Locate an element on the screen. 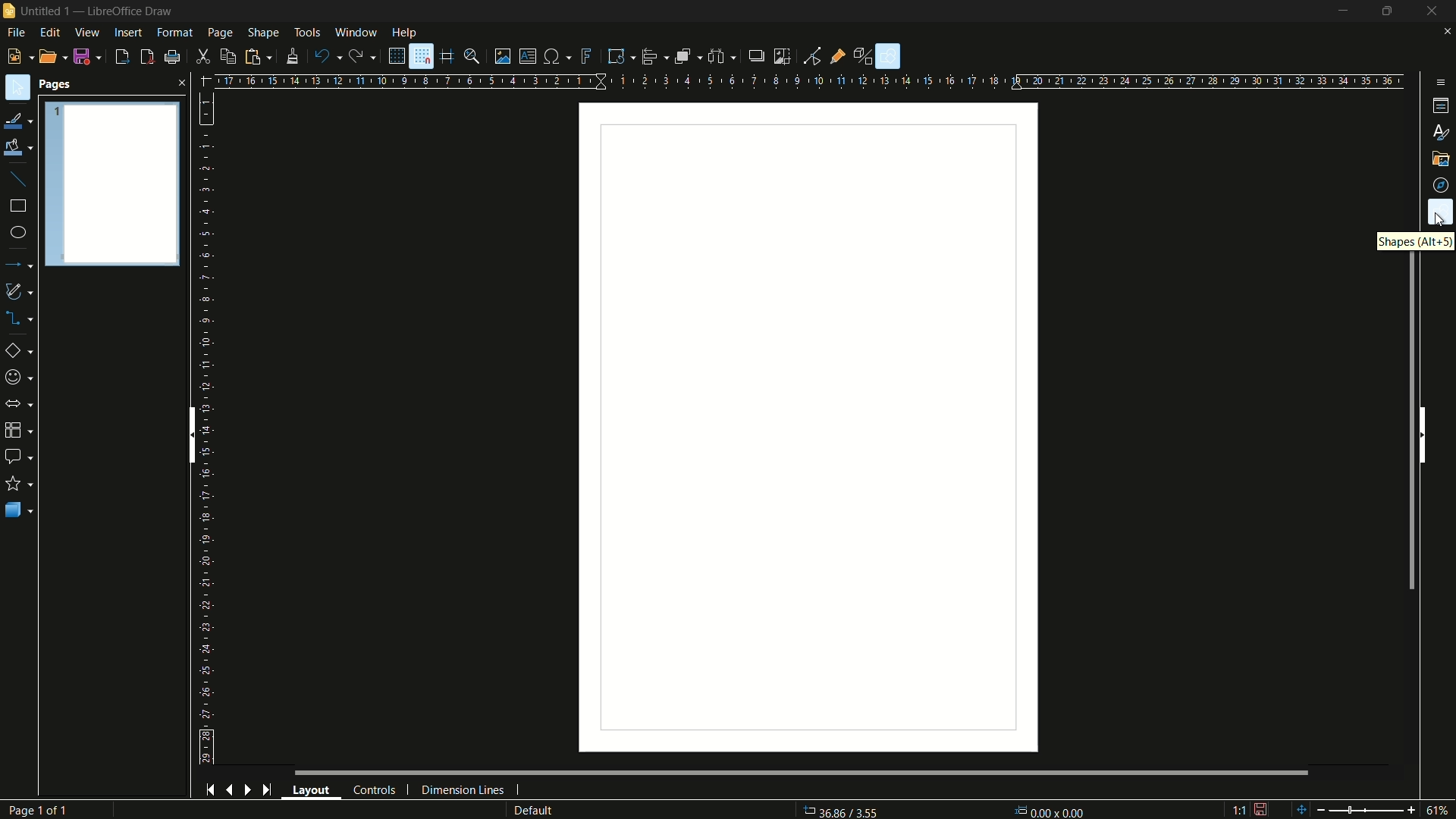 The width and height of the screenshot is (1456, 819). toggle point edit mode is located at coordinates (813, 56).